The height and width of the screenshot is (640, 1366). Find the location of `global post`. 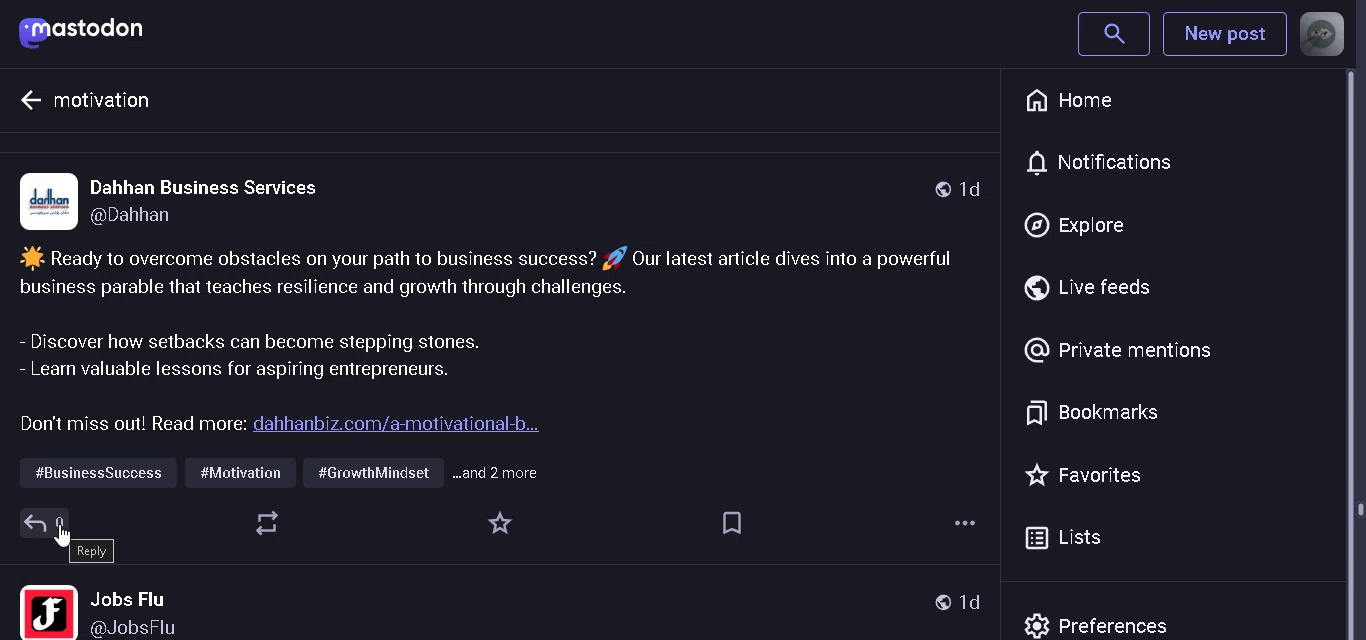

global post is located at coordinates (942, 603).